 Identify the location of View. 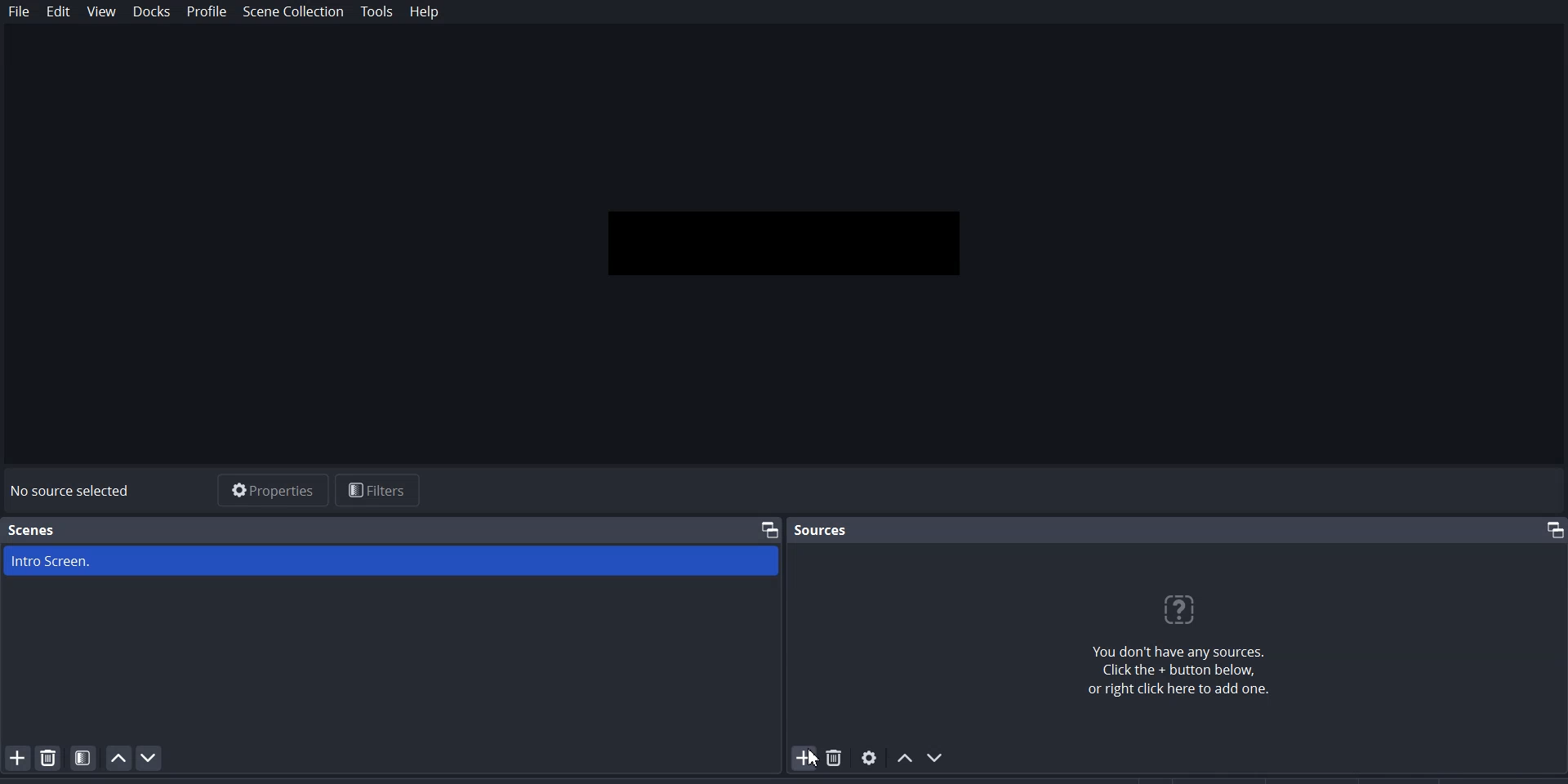
(102, 12).